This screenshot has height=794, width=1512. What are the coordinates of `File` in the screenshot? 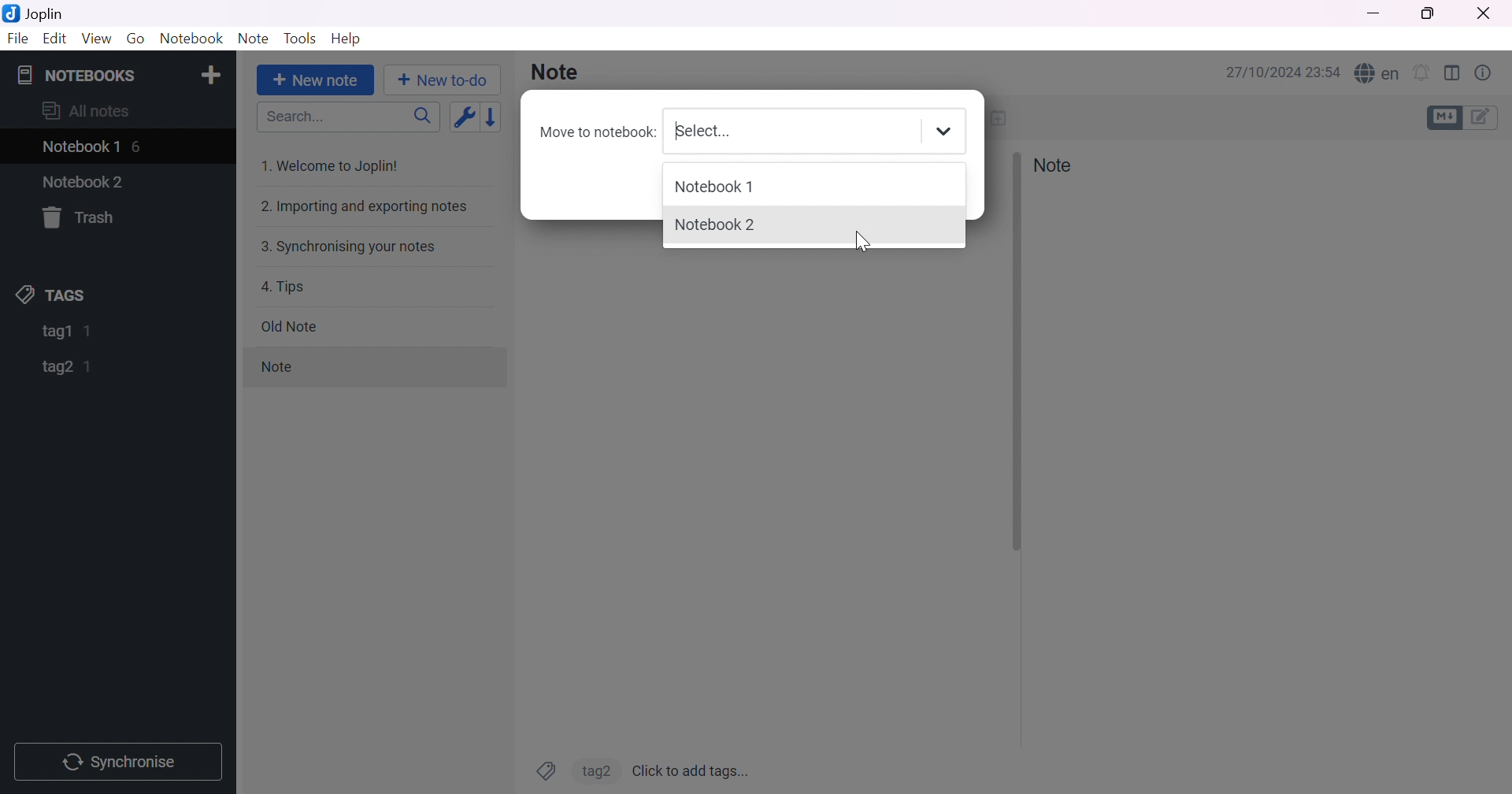 It's located at (16, 39).